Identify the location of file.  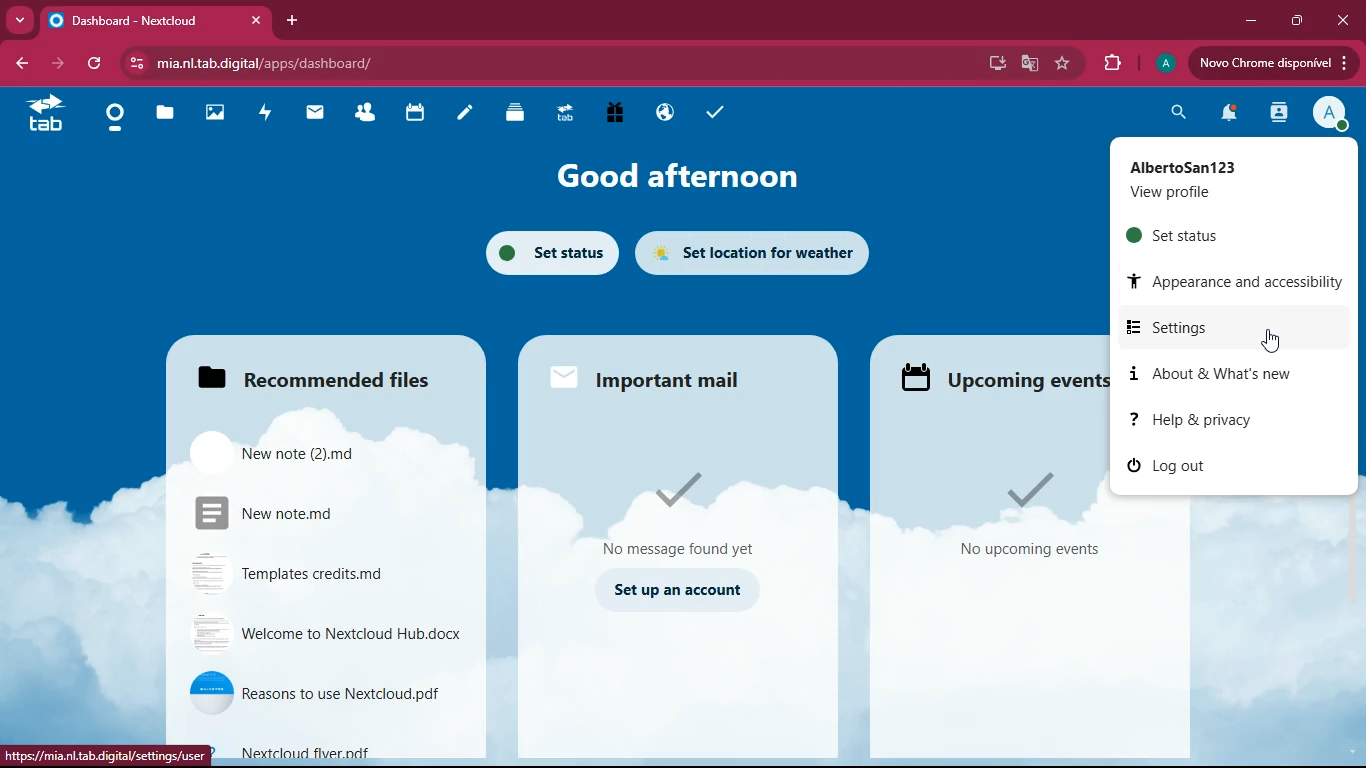
(324, 693).